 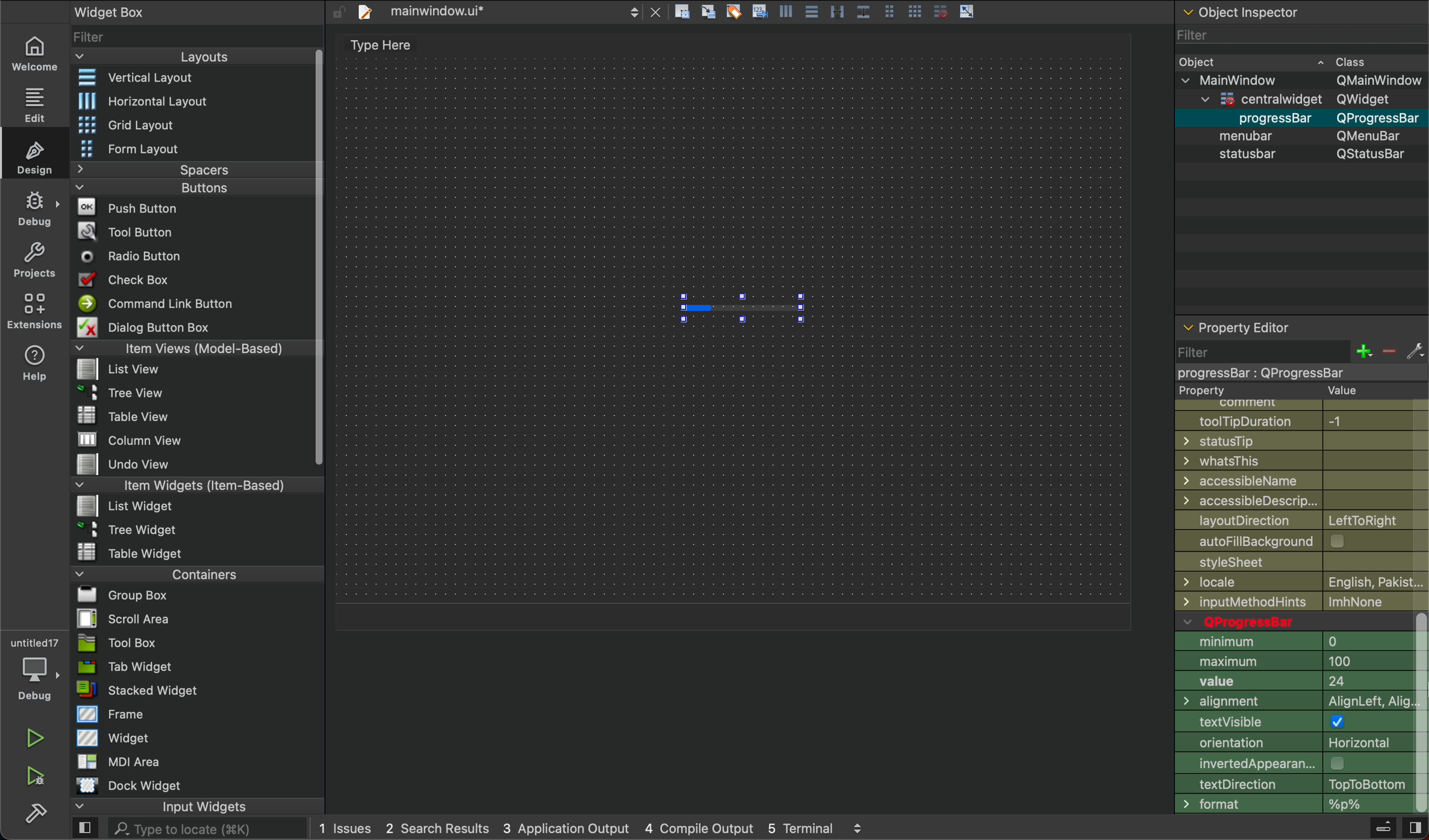 I want to click on close sidebar, so click(x=1414, y=828).